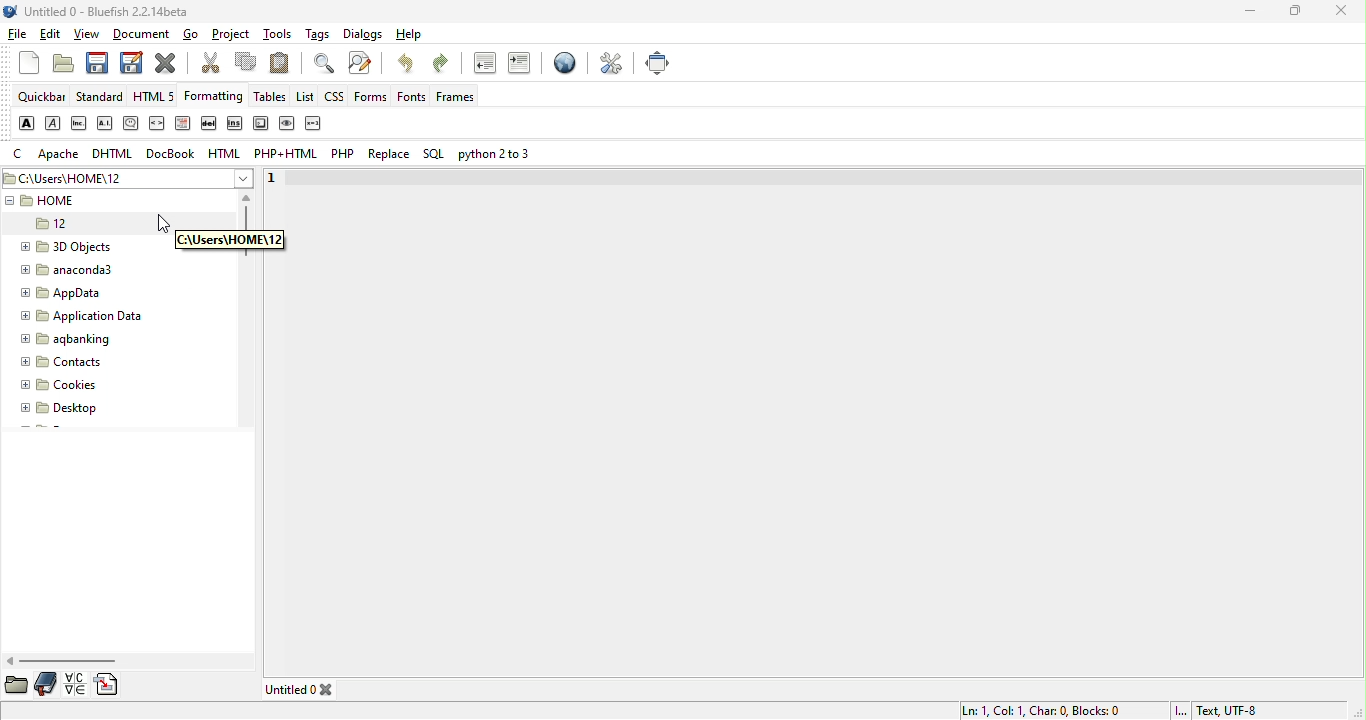 The width and height of the screenshot is (1366, 720). What do you see at coordinates (276, 180) in the screenshot?
I see `1` at bounding box center [276, 180].